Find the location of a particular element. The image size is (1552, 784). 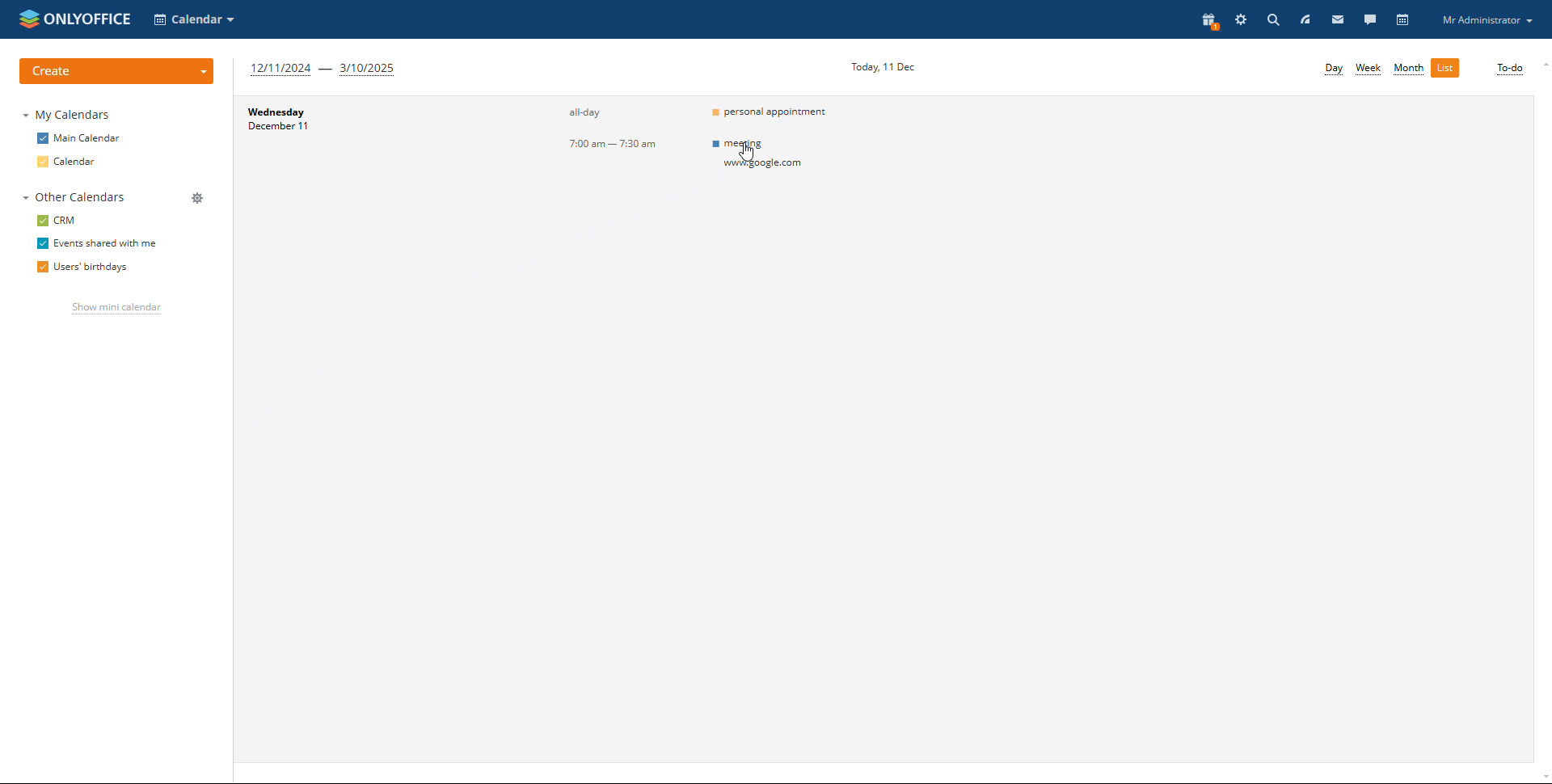

calendar is located at coordinates (65, 162).